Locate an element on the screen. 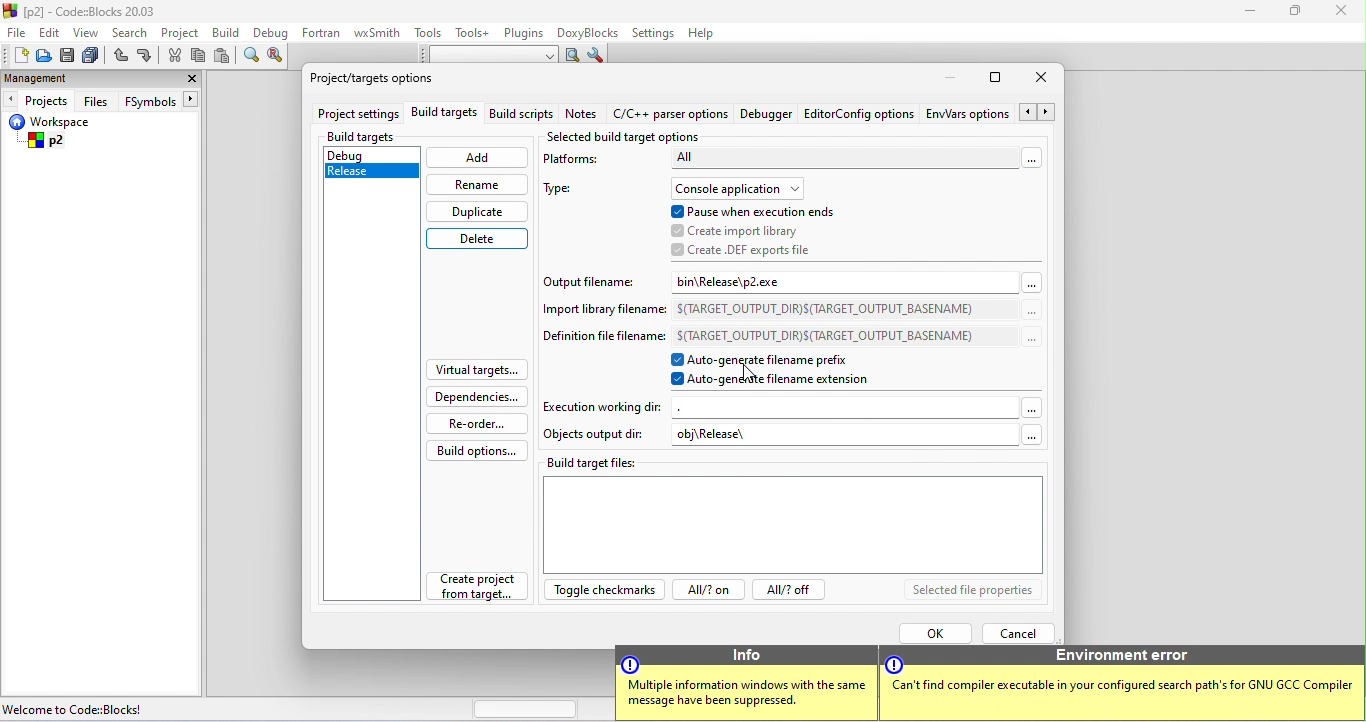 Image resolution: width=1366 pixels, height=722 pixels. debugger is located at coordinates (768, 116).